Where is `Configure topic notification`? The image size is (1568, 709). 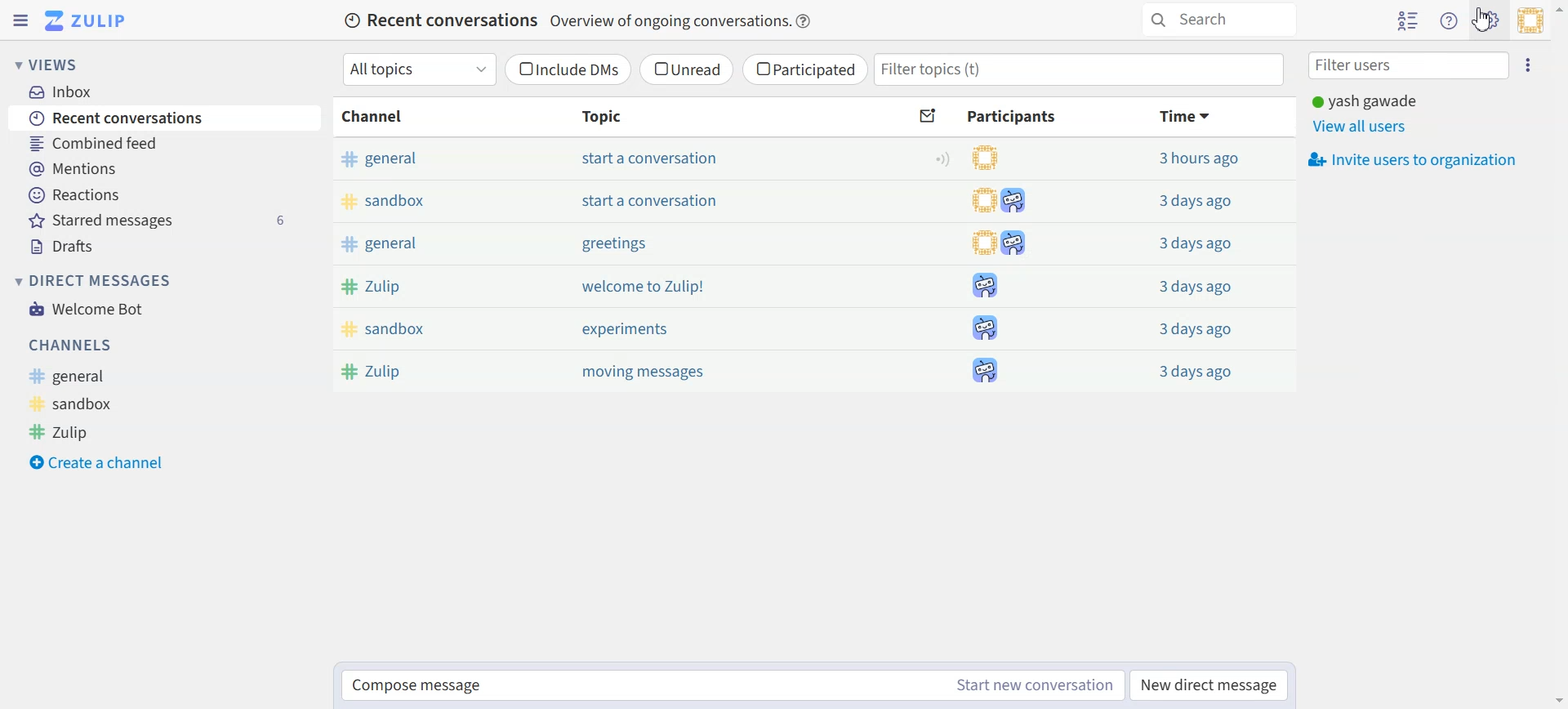
Configure topic notification is located at coordinates (942, 159).